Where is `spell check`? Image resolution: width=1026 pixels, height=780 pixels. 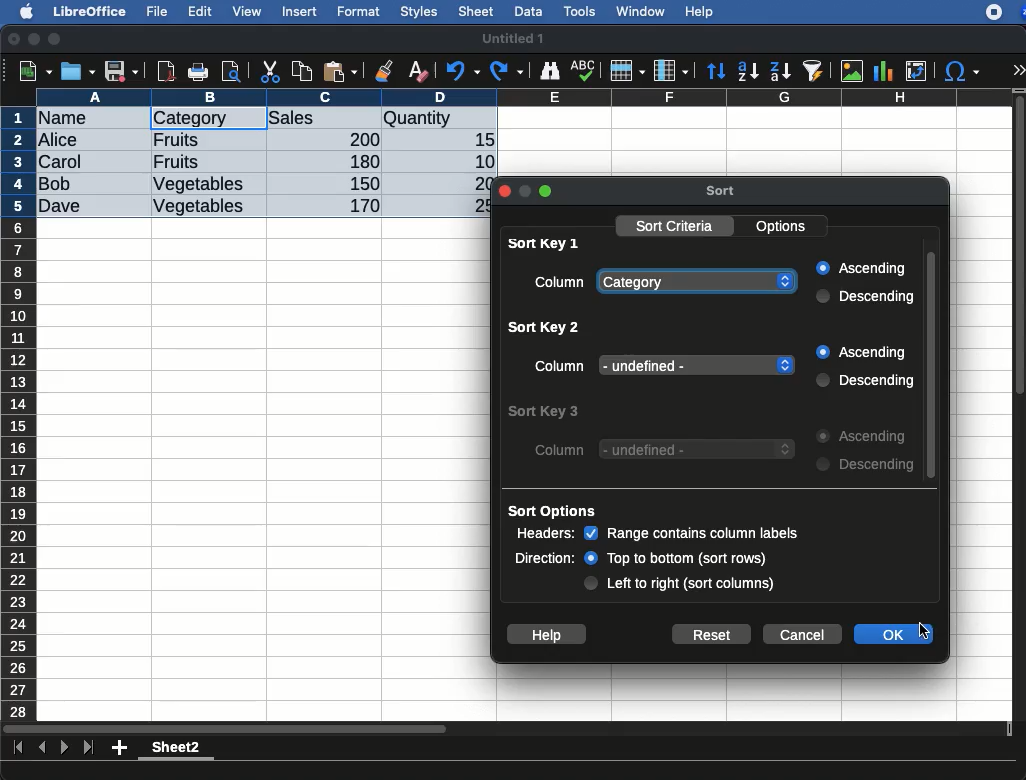 spell check is located at coordinates (586, 70).